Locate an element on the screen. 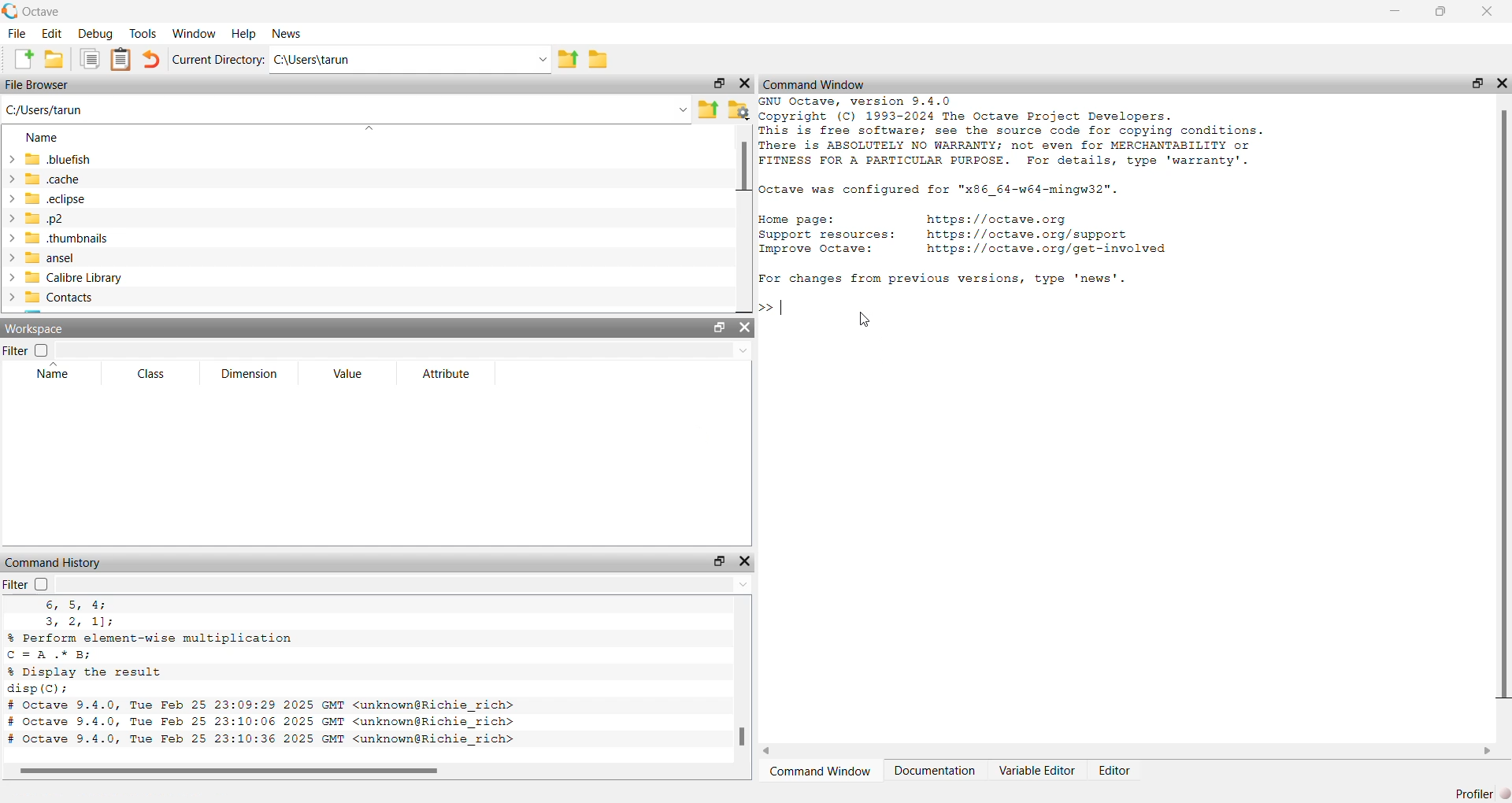 The height and width of the screenshot is (803, 1512). C:\Users\tarun  is located at coordinates (409, 60).